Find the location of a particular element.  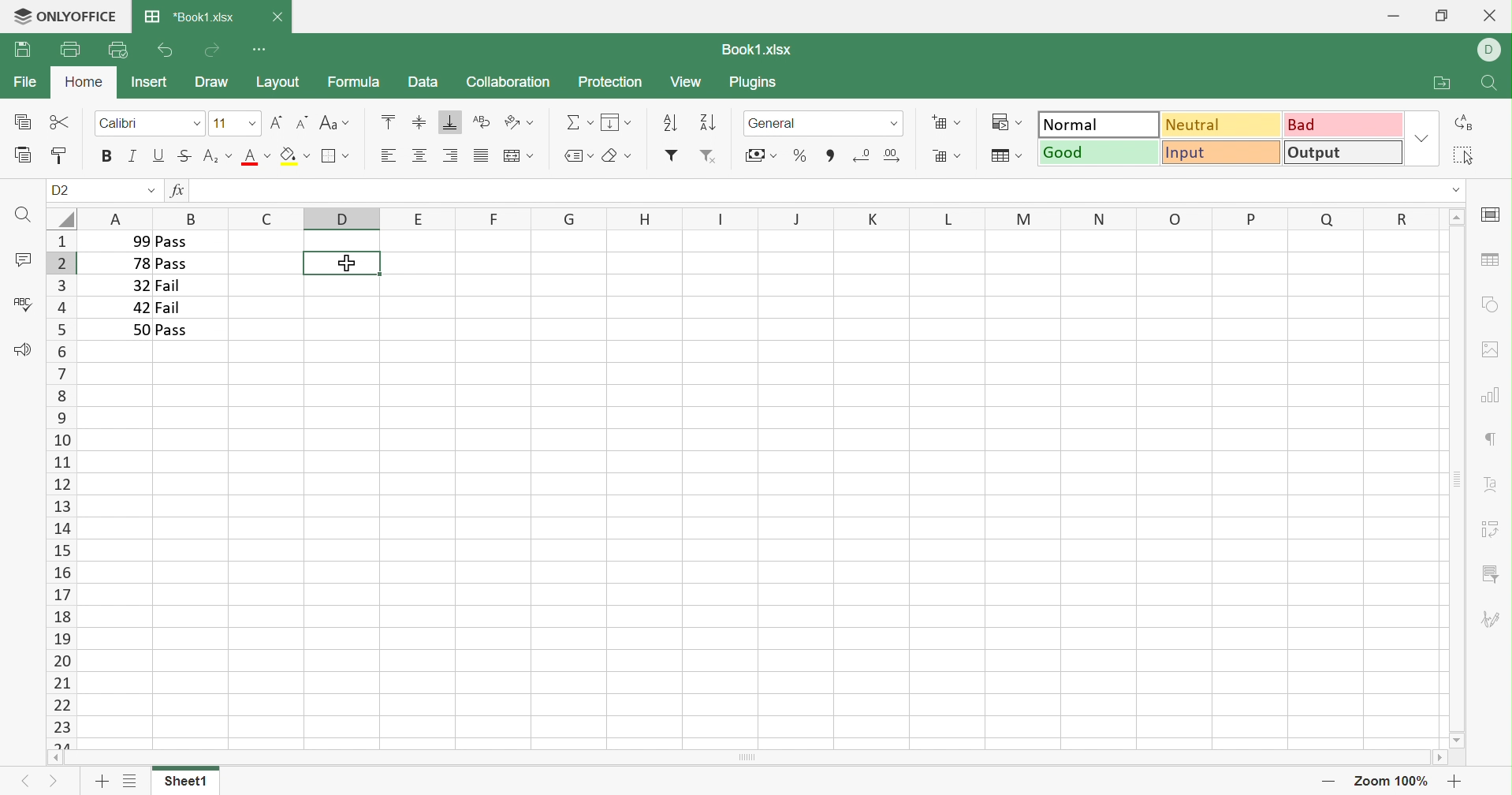

Pivot table settings is located at coordinates (1492, 529).